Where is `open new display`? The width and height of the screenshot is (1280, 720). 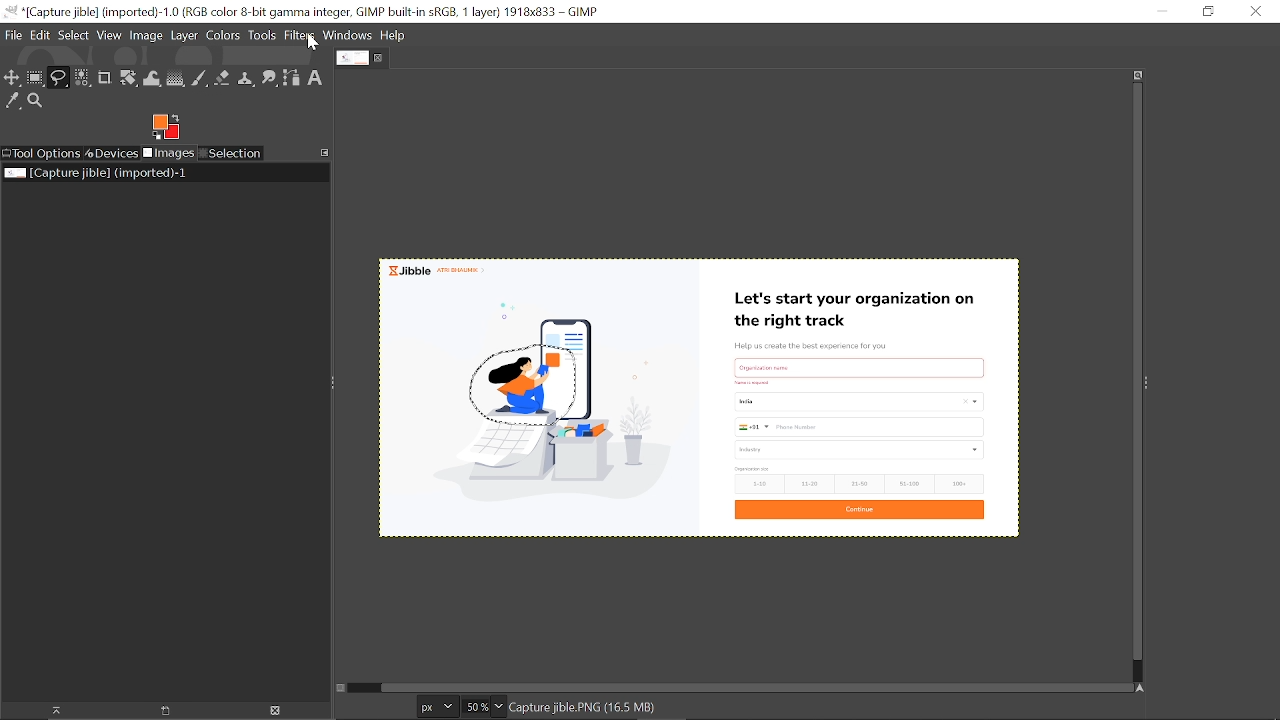 open new display is located at coordinates (158, 711).